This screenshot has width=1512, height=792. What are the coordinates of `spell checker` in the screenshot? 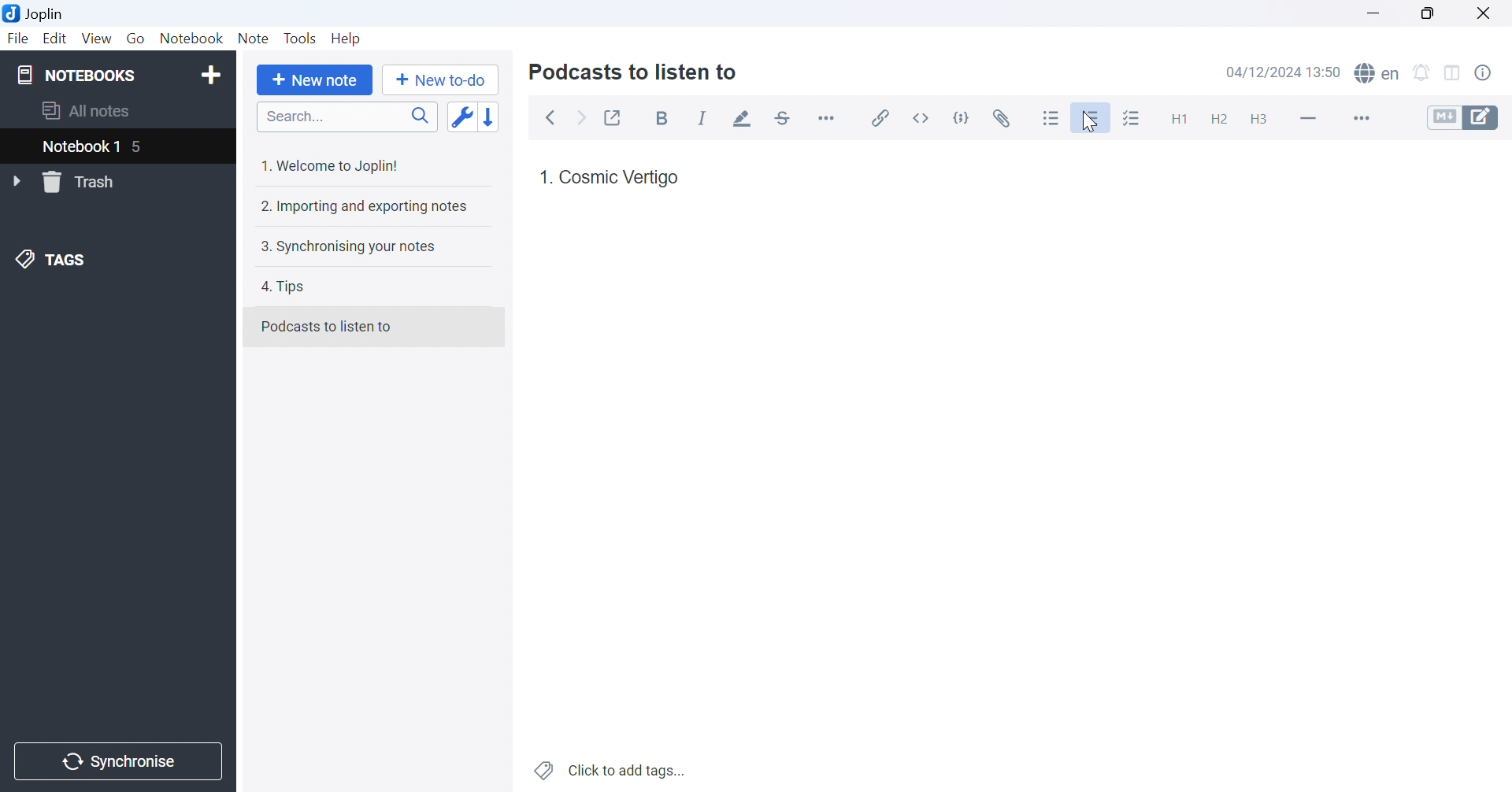 It's located at (1381, 74).